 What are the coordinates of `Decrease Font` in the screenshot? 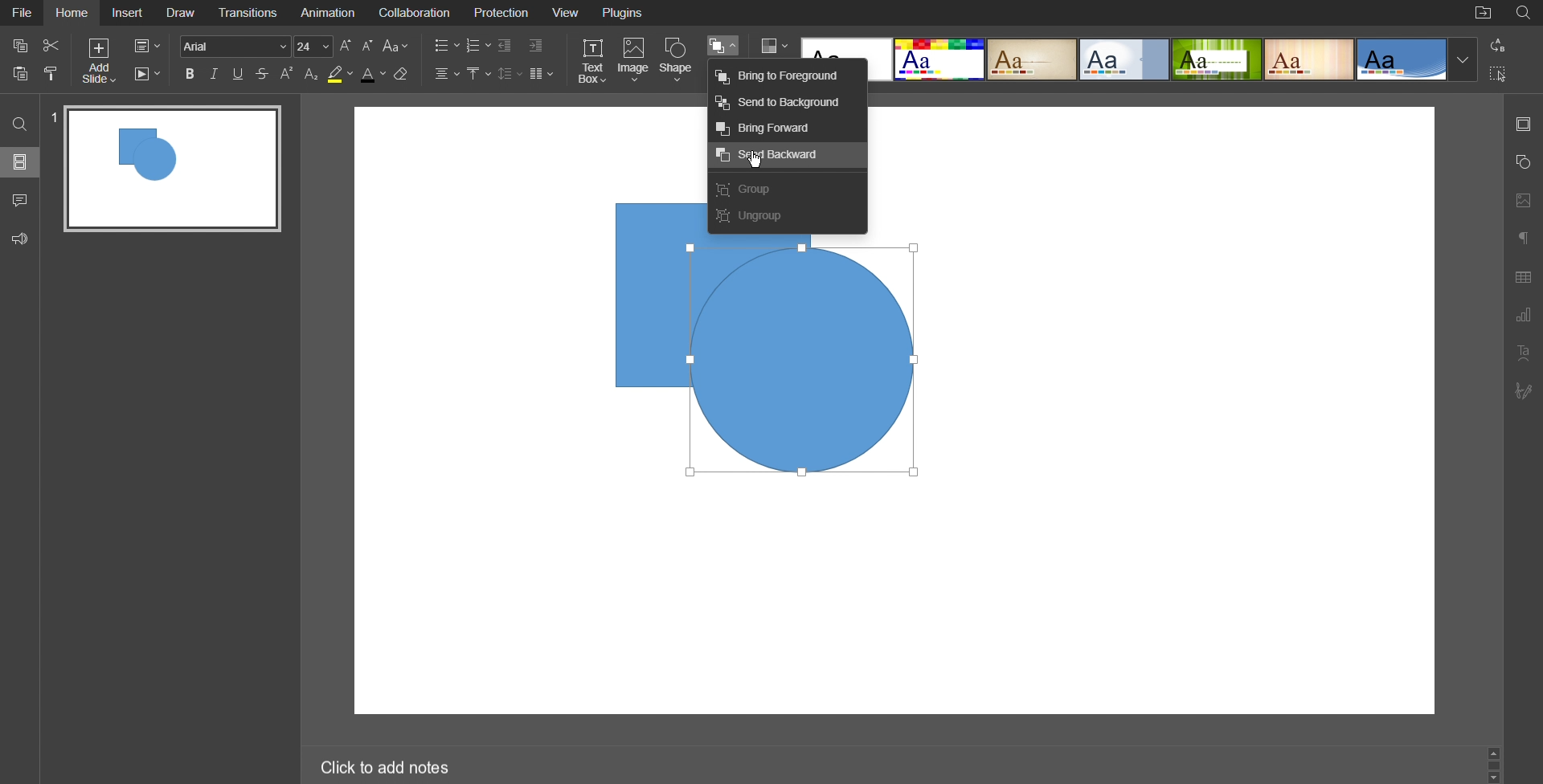 It's located at (366, 46).